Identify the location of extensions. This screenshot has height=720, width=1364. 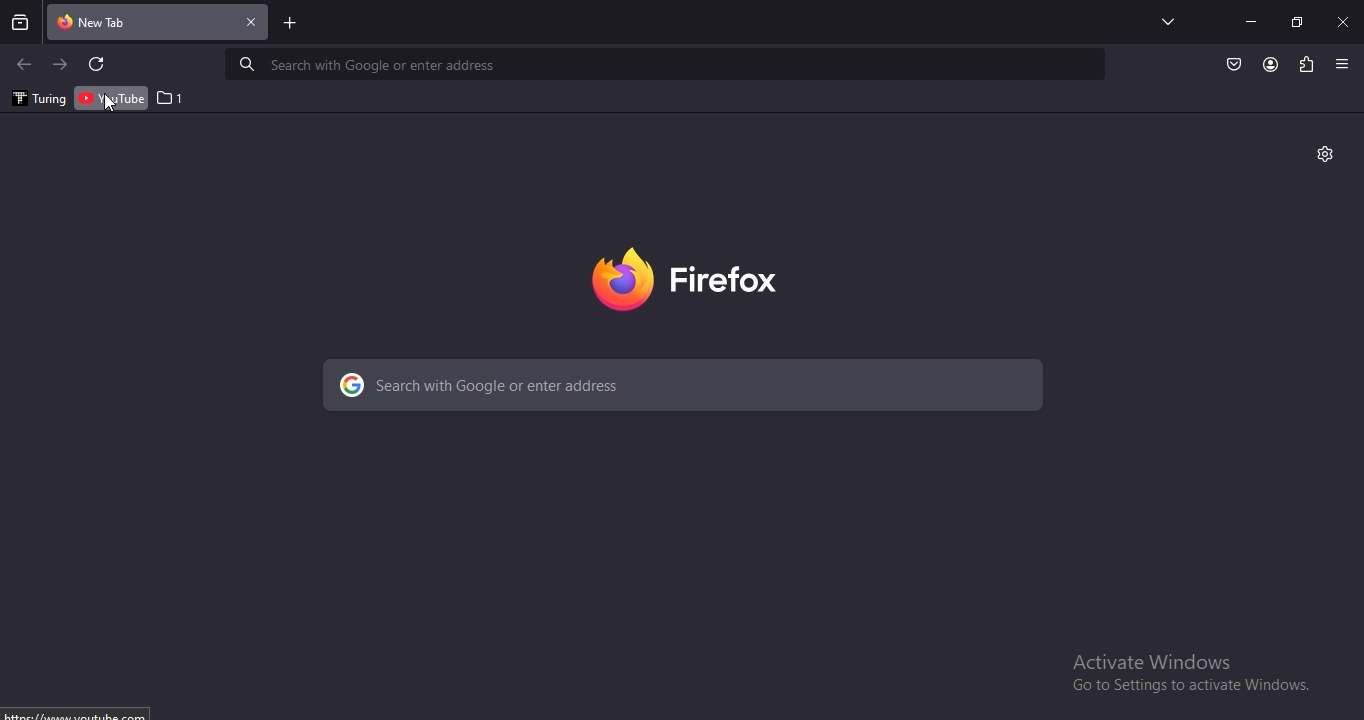
(1306, 65).